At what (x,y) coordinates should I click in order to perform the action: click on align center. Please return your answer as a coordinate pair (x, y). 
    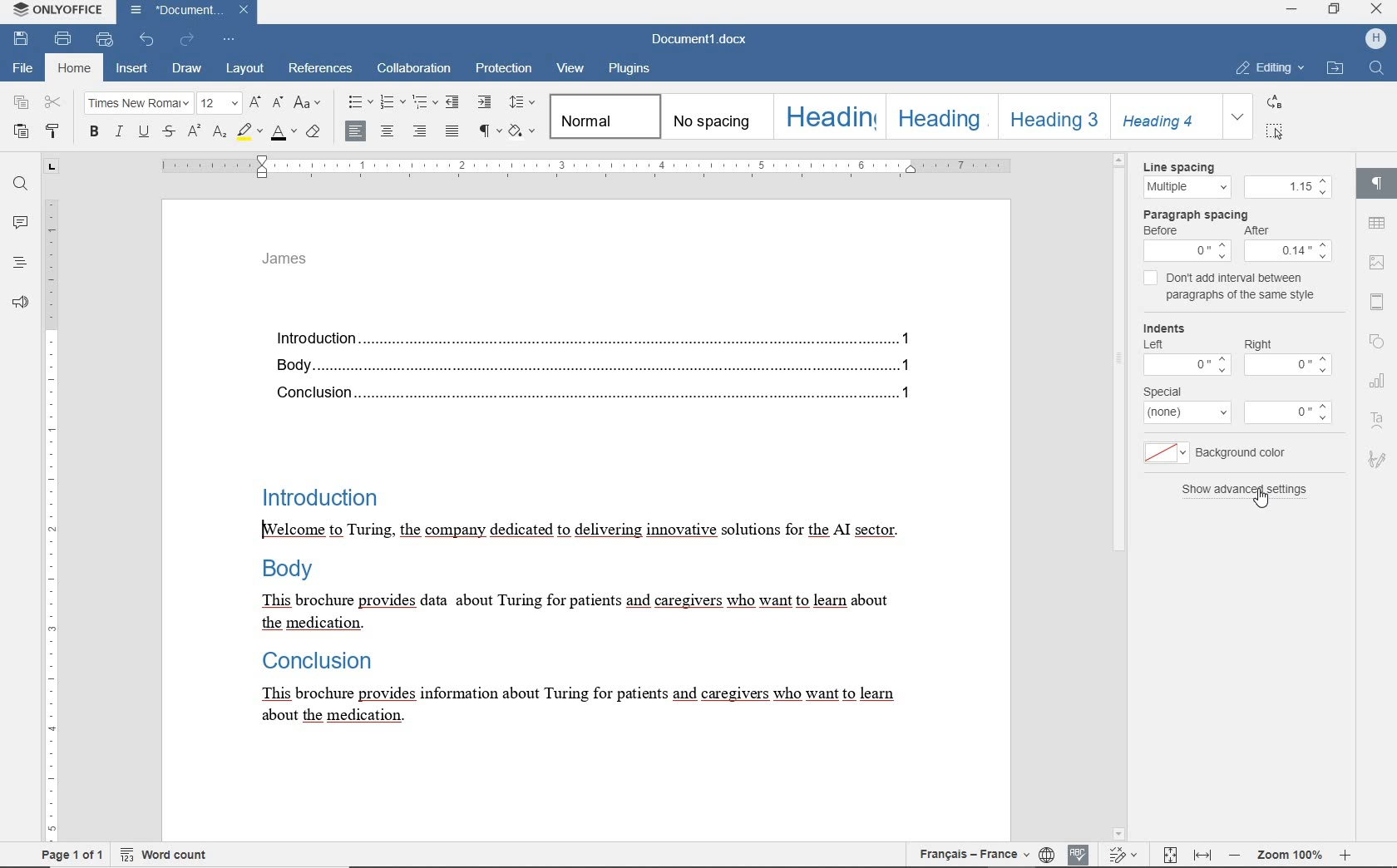
    Looking at the image, I should click on (353, 130).